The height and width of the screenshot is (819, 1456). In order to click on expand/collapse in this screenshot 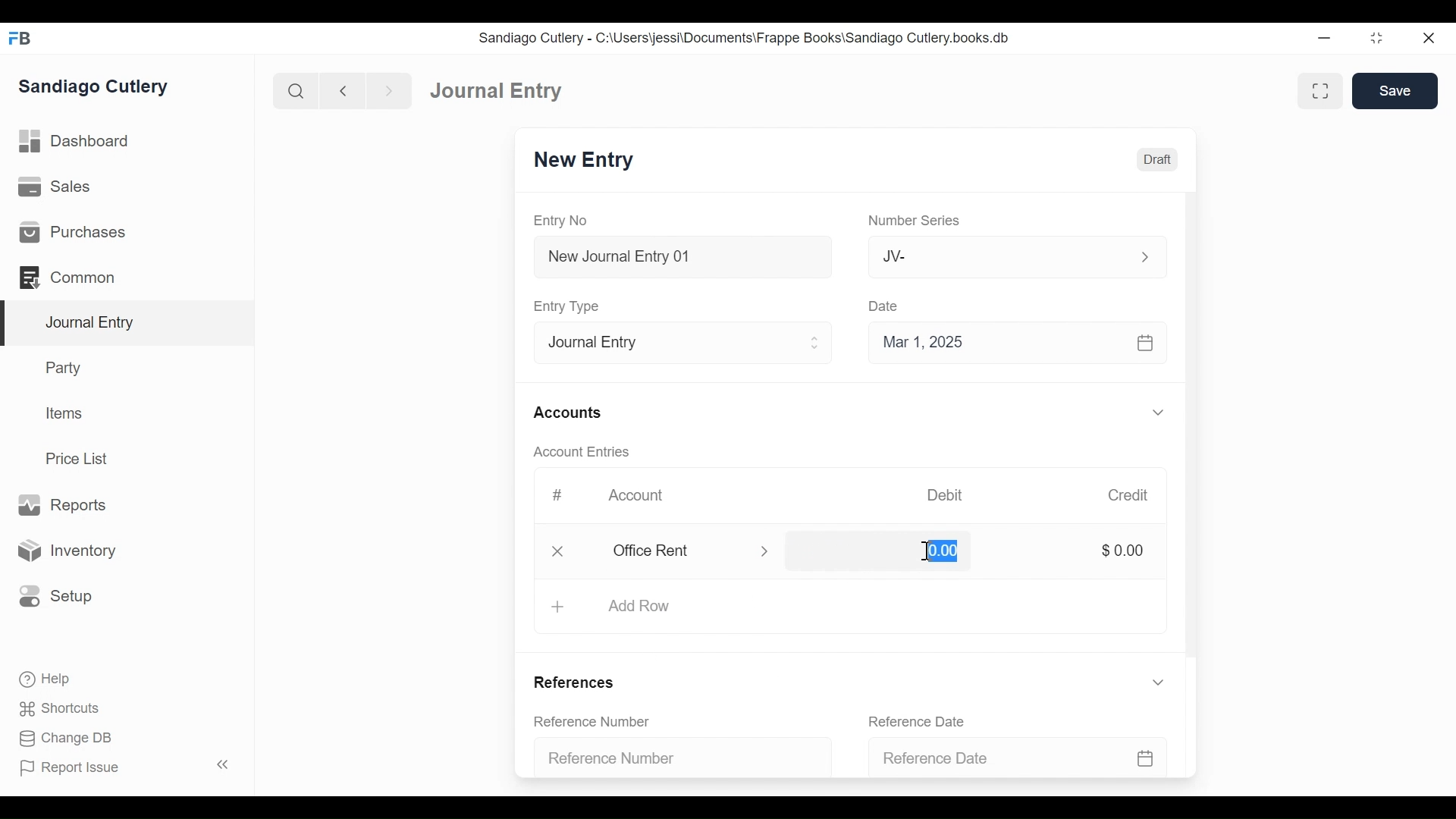, I will do `click(1157, 412)`.